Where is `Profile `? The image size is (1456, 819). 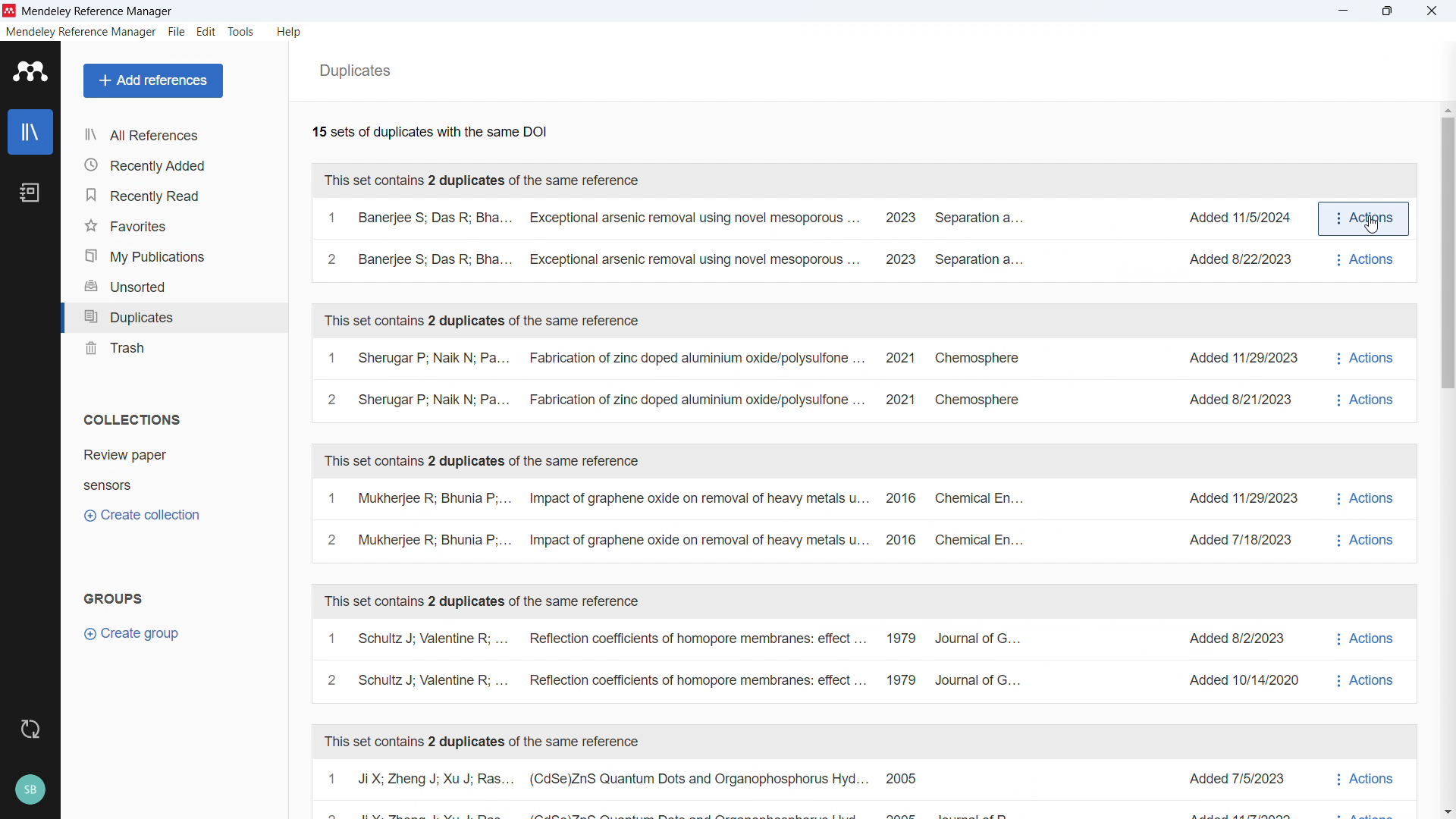 Profile  is located at coordinates (30, 787).